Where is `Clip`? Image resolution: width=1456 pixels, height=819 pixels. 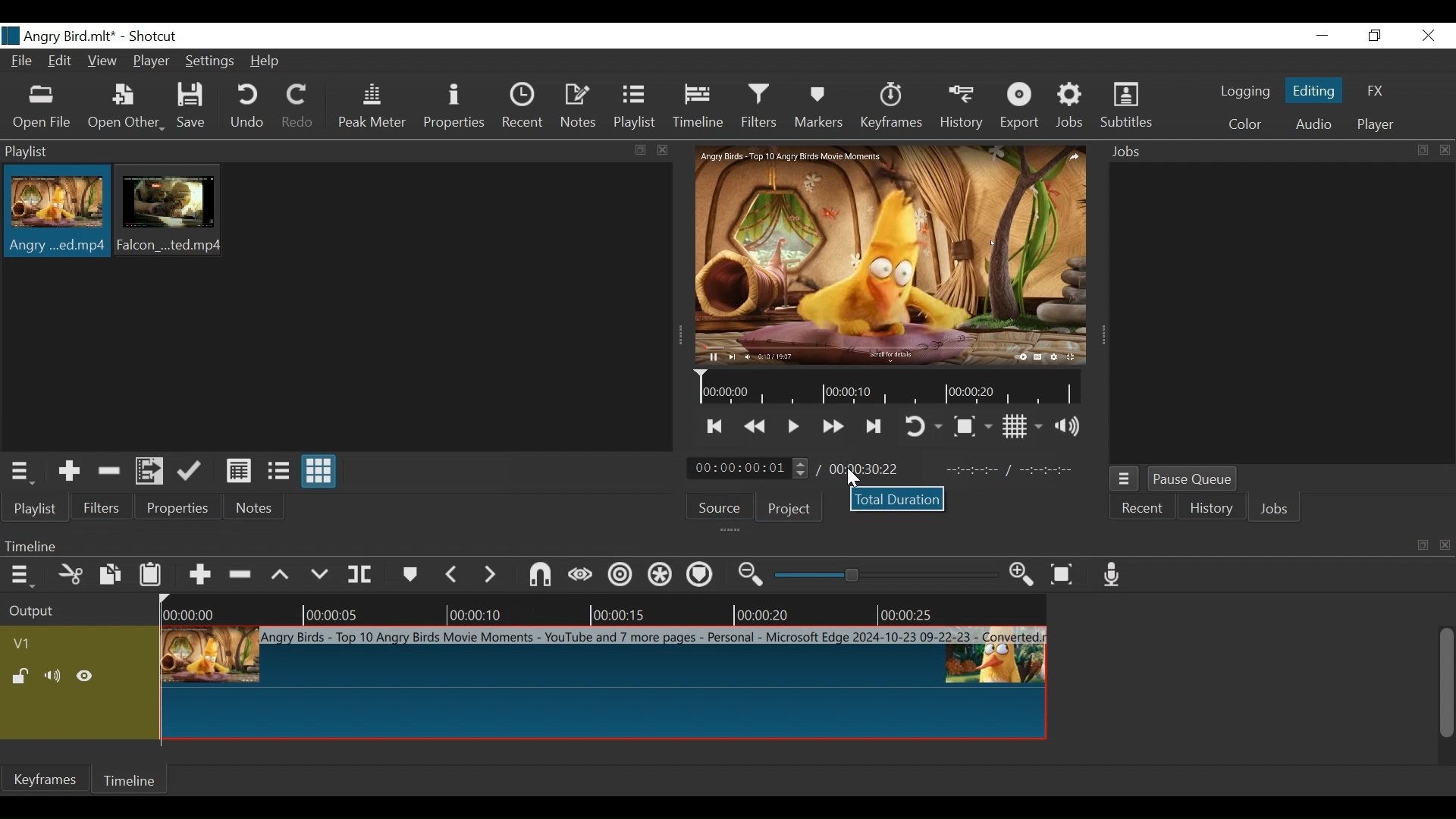
Clip is located at coordinates (169, 210).